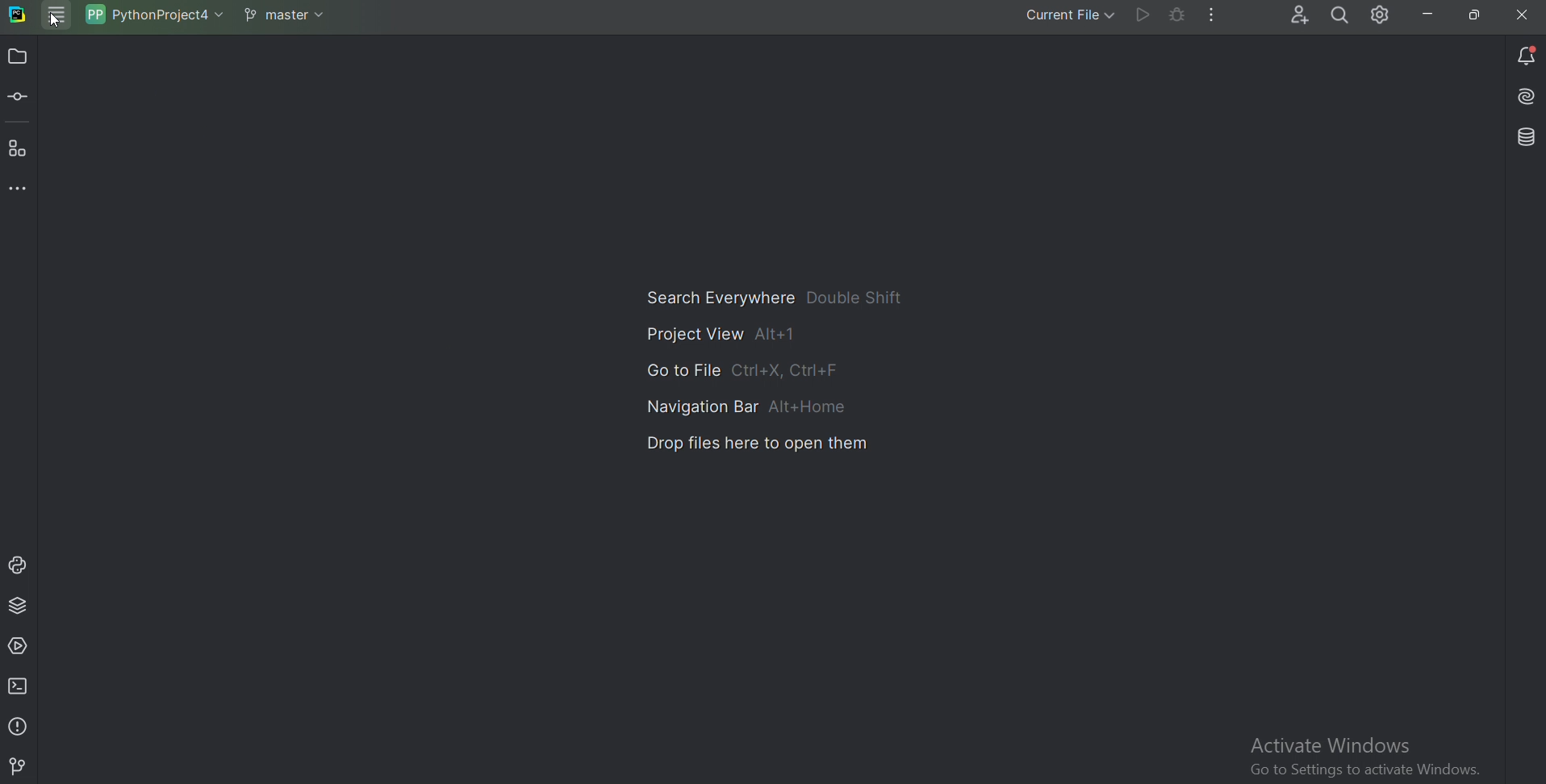 Image resolution: width=1546 pixels, height=784 pixels. What do you see at coordinates (17, 58) in the screenshot?
I see `Project` at bounding box center [17, 58].